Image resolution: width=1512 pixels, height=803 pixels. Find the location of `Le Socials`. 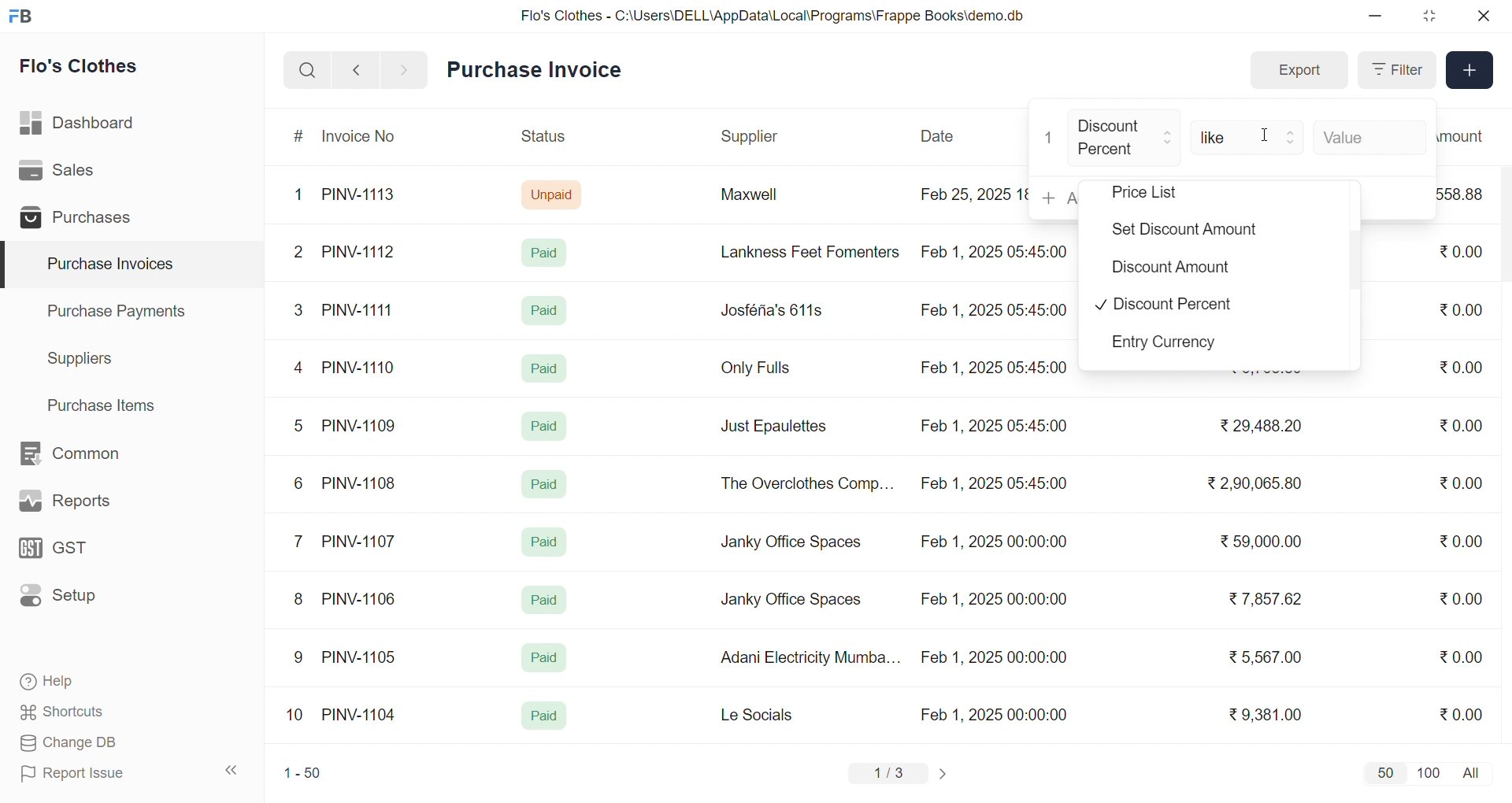

Le Socials is located at coordinates (770, 714).